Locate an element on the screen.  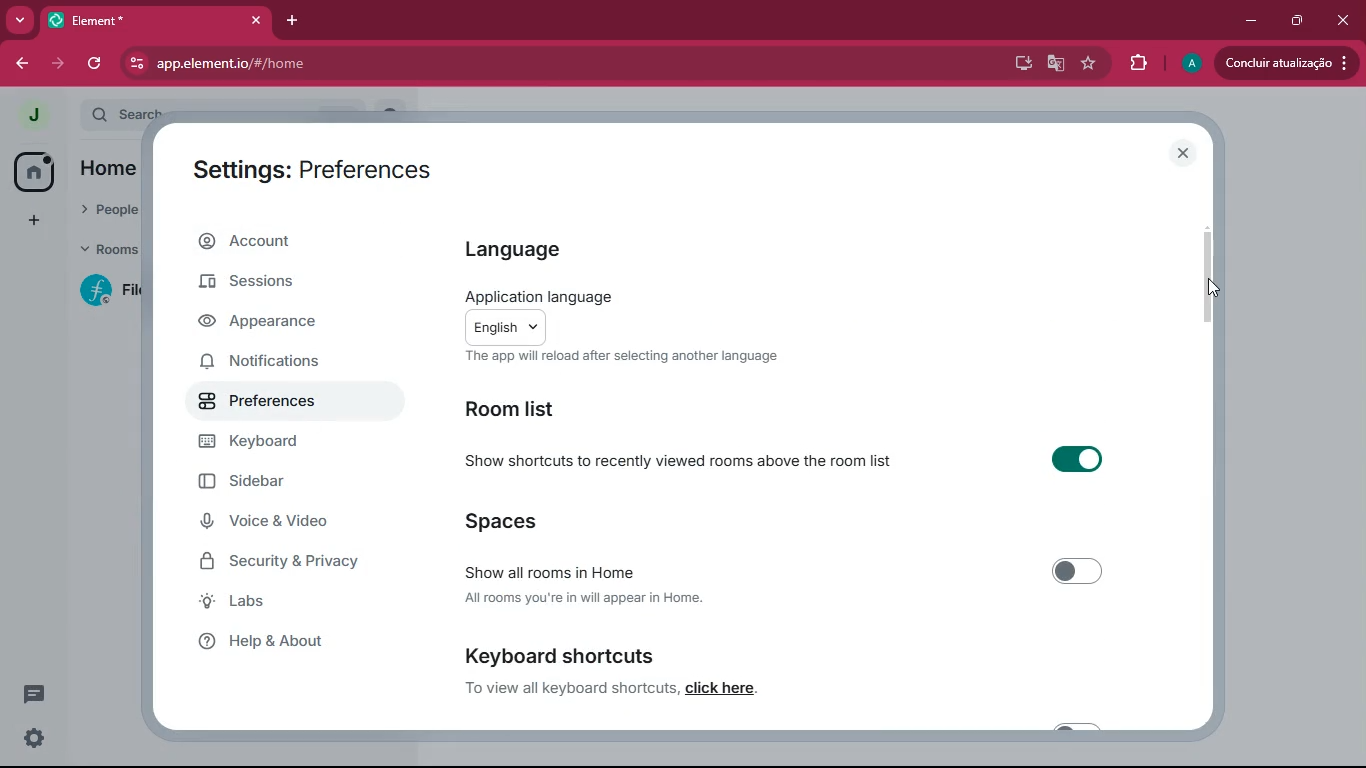
show all rooms in home all rooms you're in will appear in home is located at coordinates (593, 585).